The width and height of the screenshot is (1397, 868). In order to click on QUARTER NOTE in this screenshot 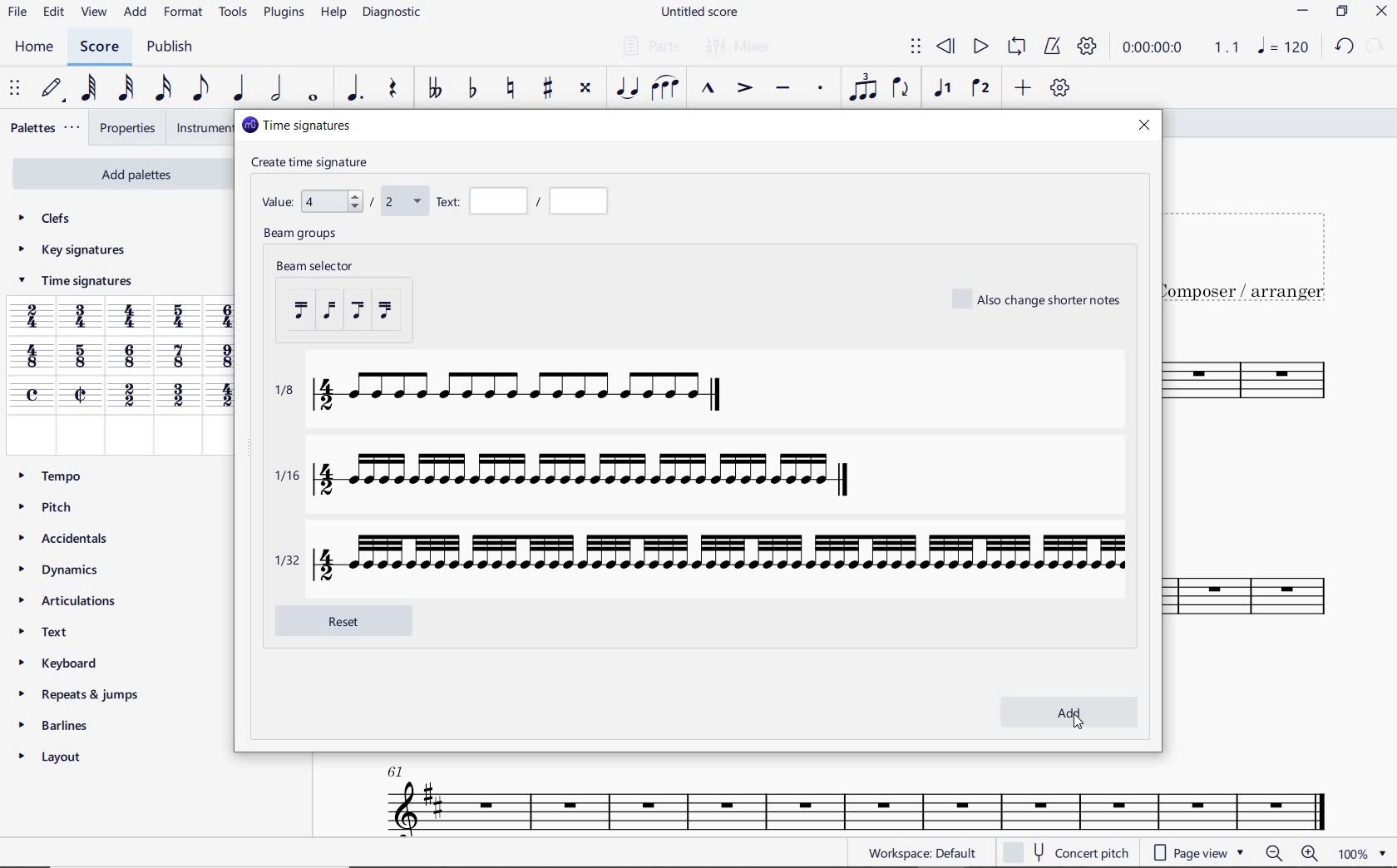, I will do `click(239, 88)`.